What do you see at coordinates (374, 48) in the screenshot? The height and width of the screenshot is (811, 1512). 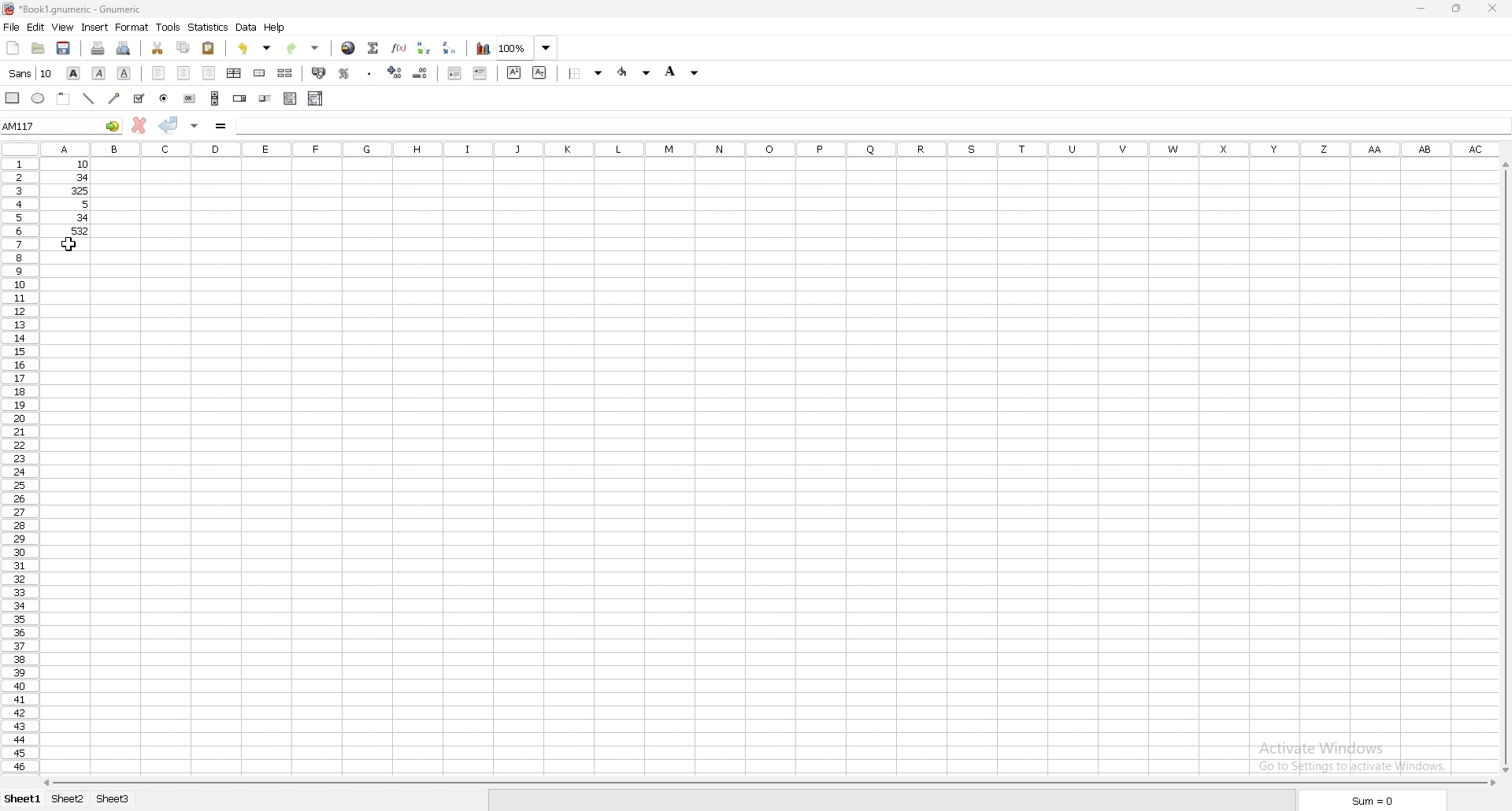 I see `summation` at bounding box center [374, 48].